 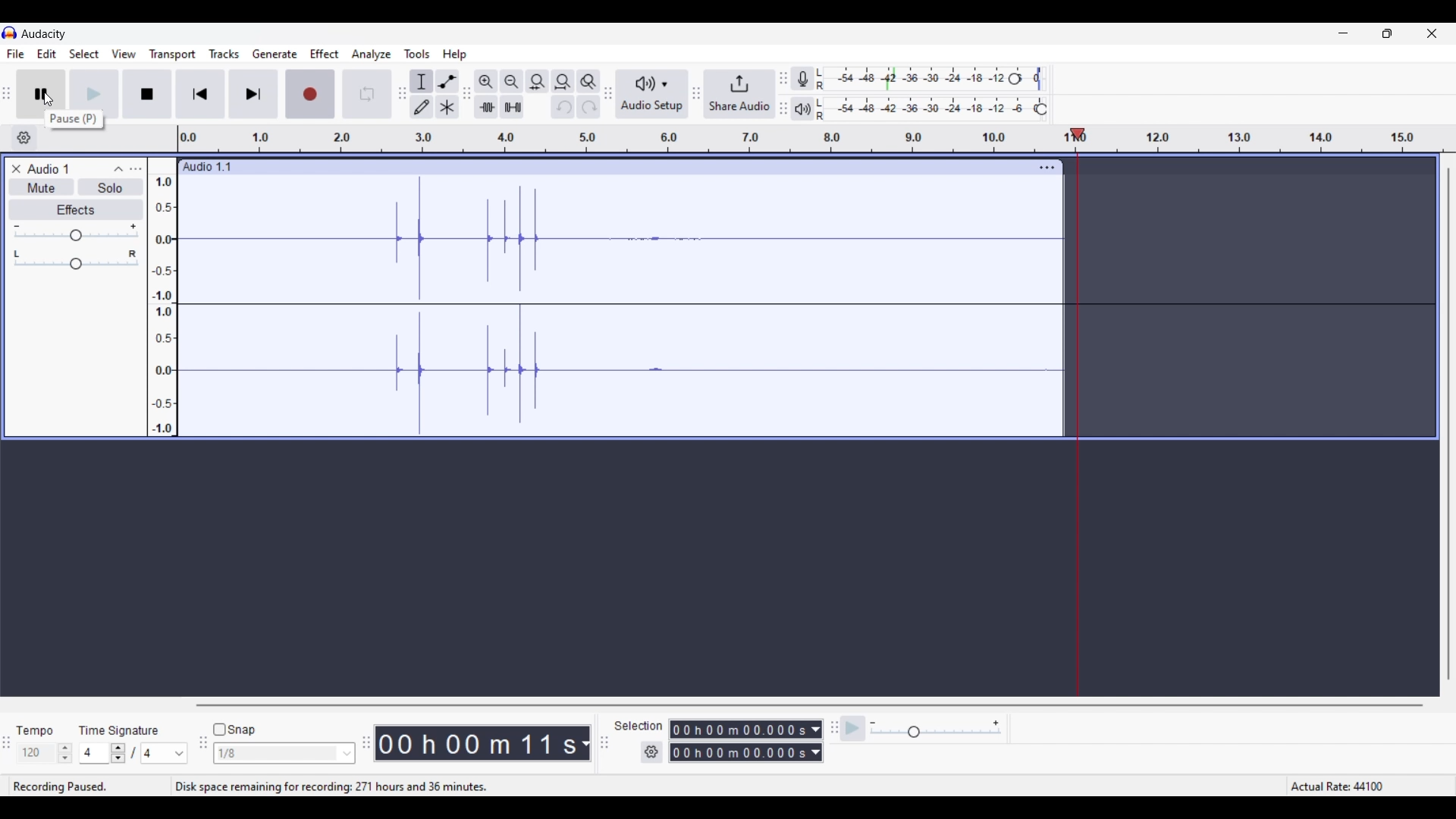 I want to click on Zoom in, so click(x=486, y=81).